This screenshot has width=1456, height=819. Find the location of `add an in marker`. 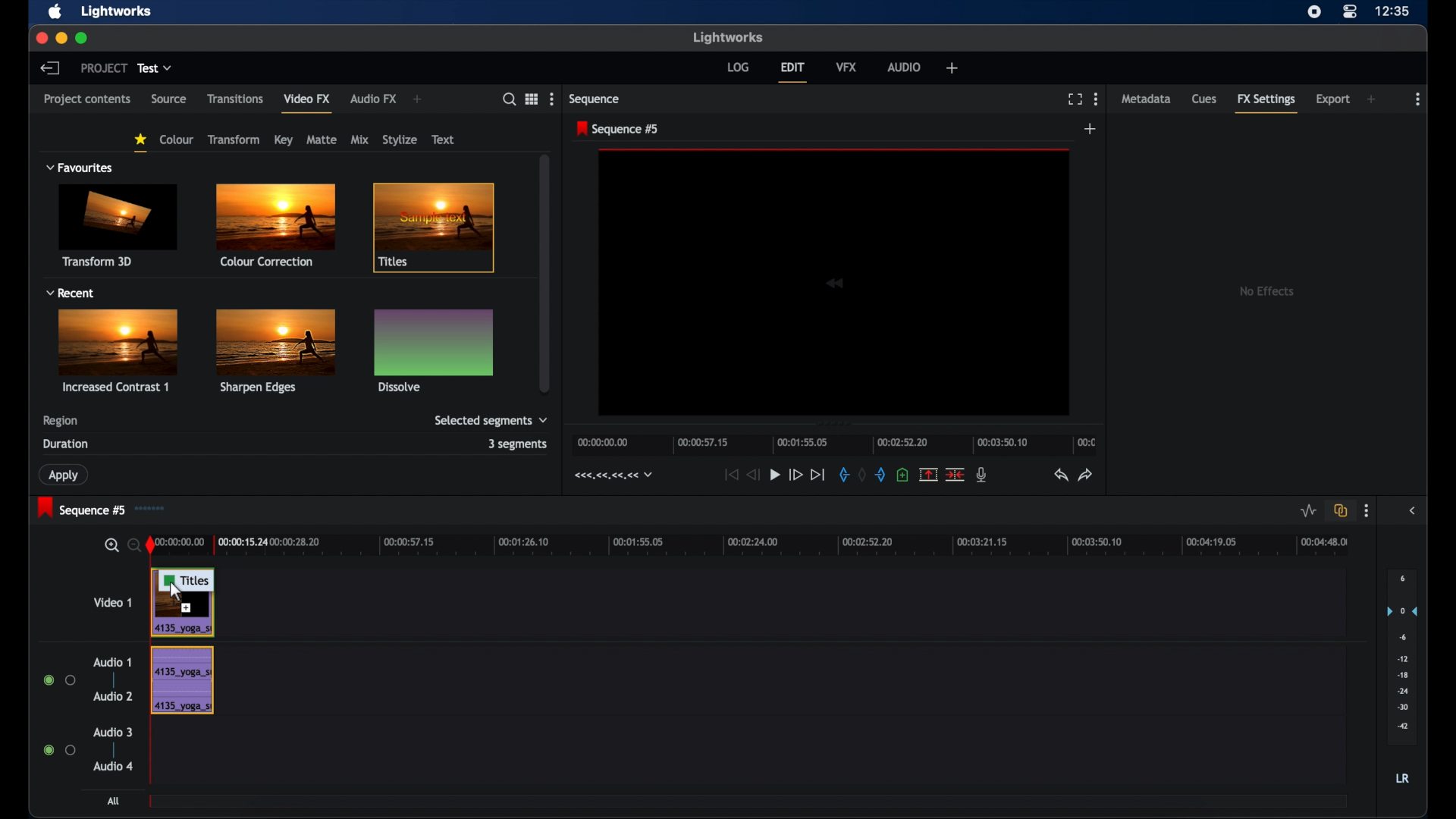

add an in marker is located at coordinates (843, 475).